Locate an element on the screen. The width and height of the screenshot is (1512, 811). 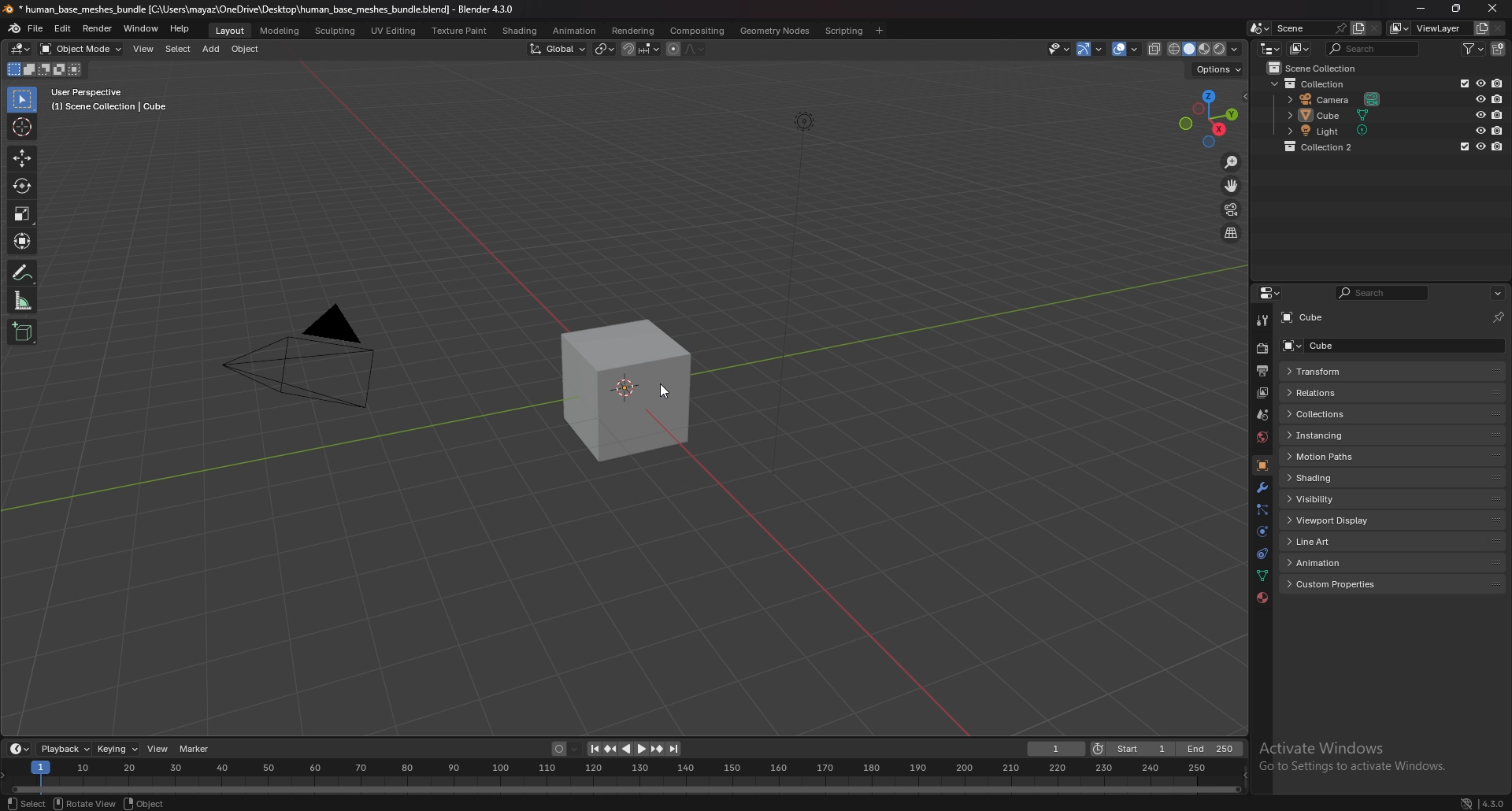
help is located at coordinates (180, 28).